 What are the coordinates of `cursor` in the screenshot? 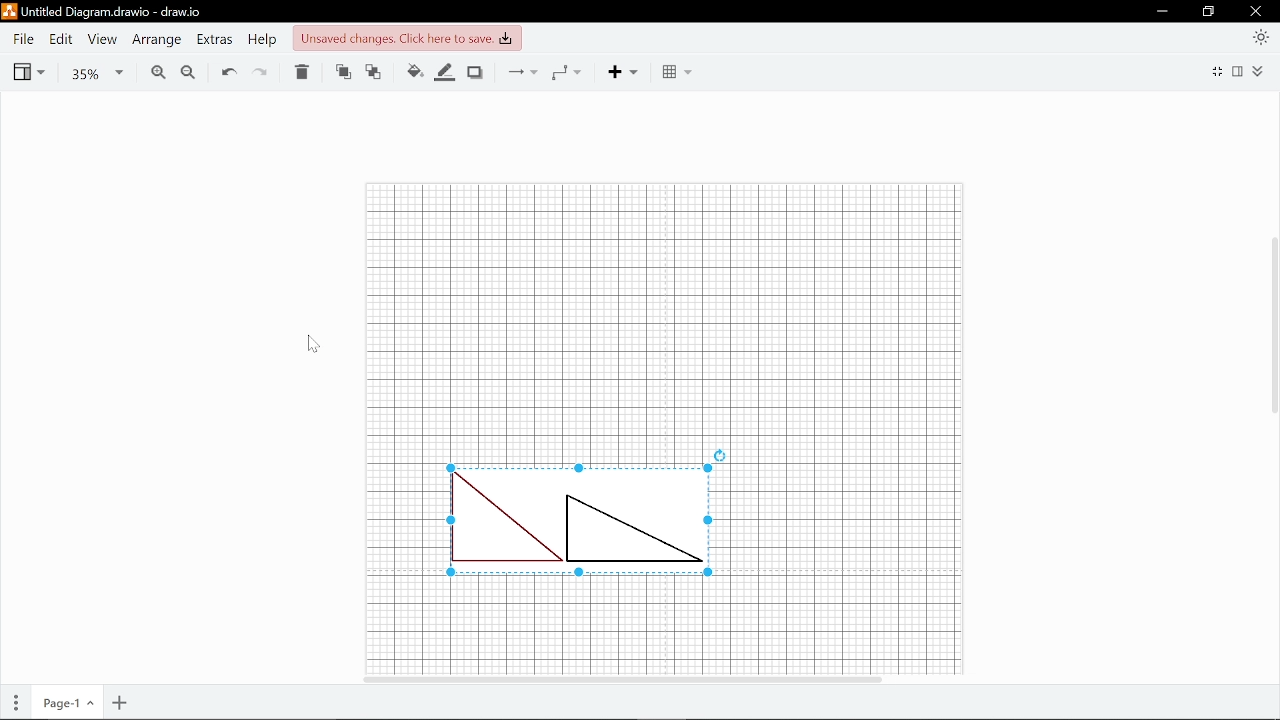 It's located at (311, 344).